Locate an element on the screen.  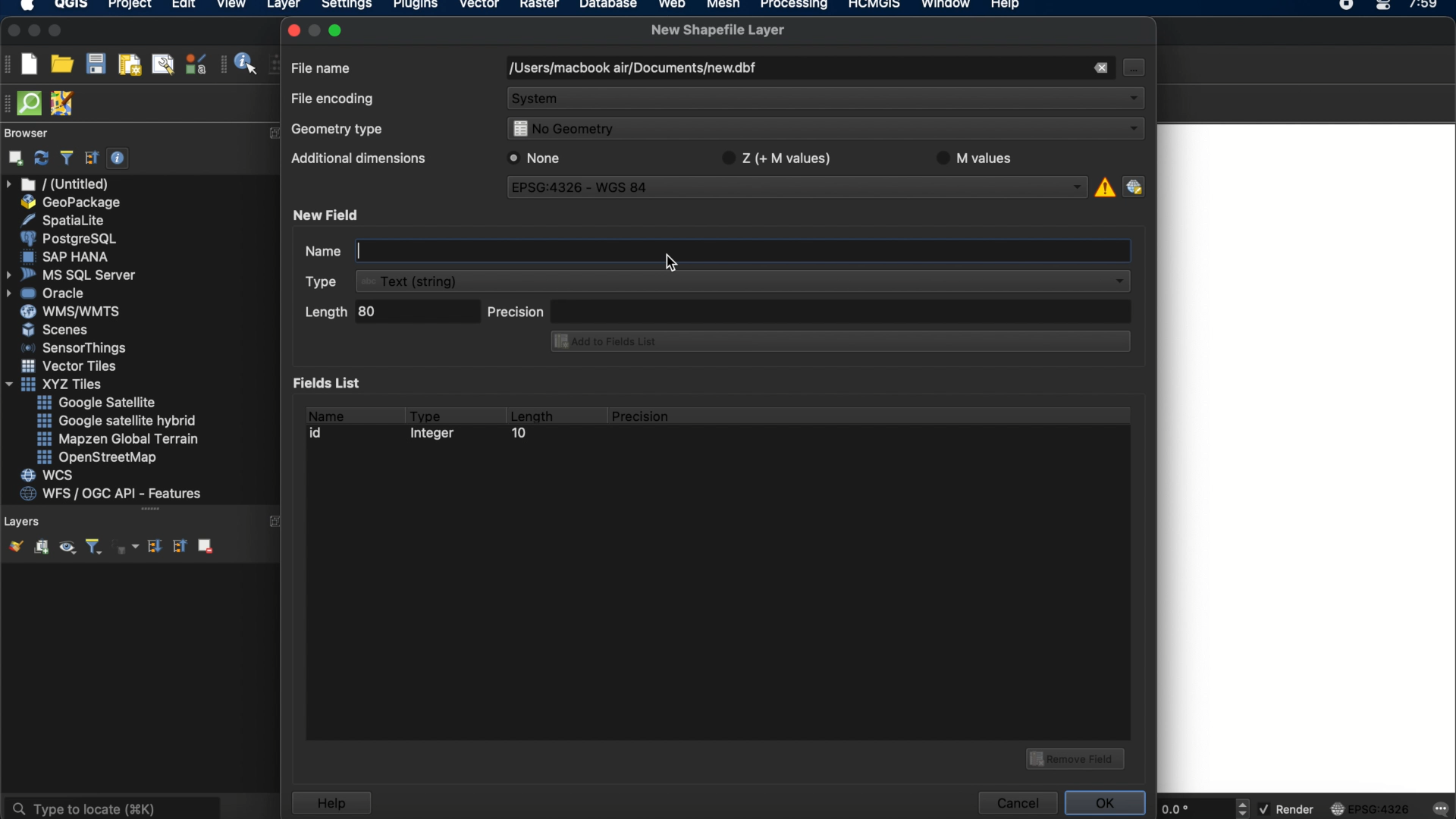
filter legend by expression is located at coordinates (127, 547).